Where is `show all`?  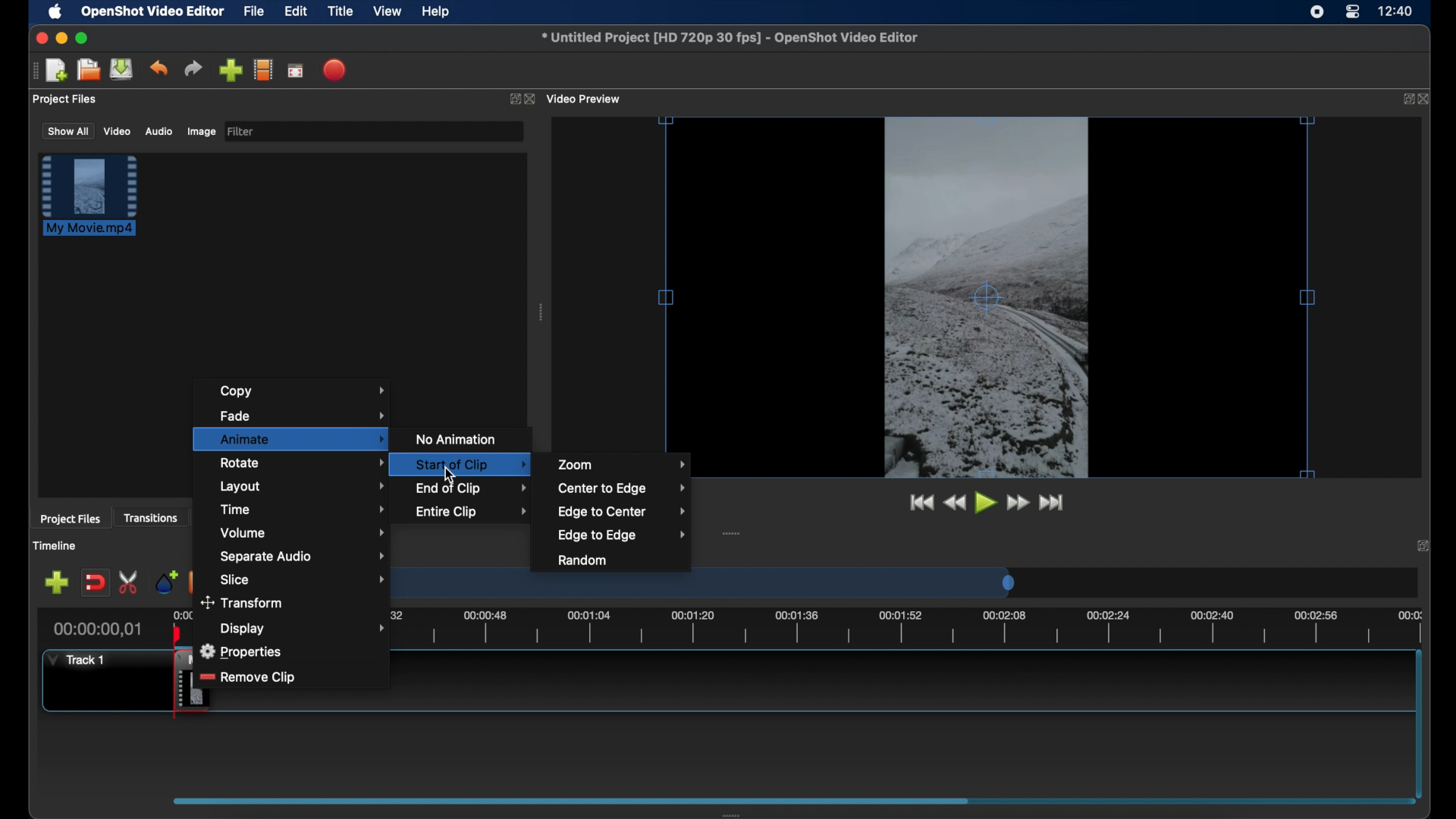
show all is located at coordinates (67, 130).